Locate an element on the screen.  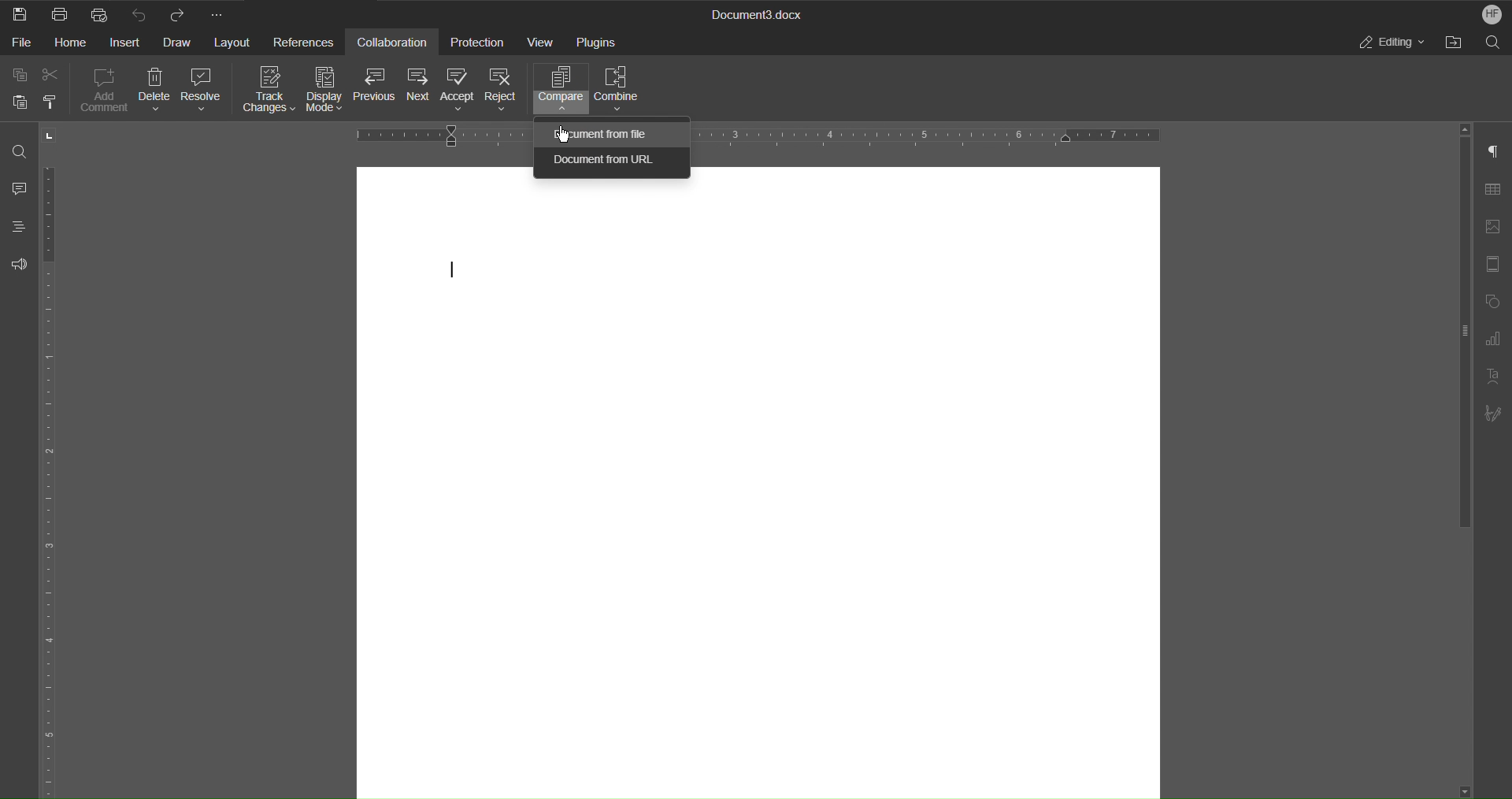
Open File Location is located at coordinates (1453, 43).